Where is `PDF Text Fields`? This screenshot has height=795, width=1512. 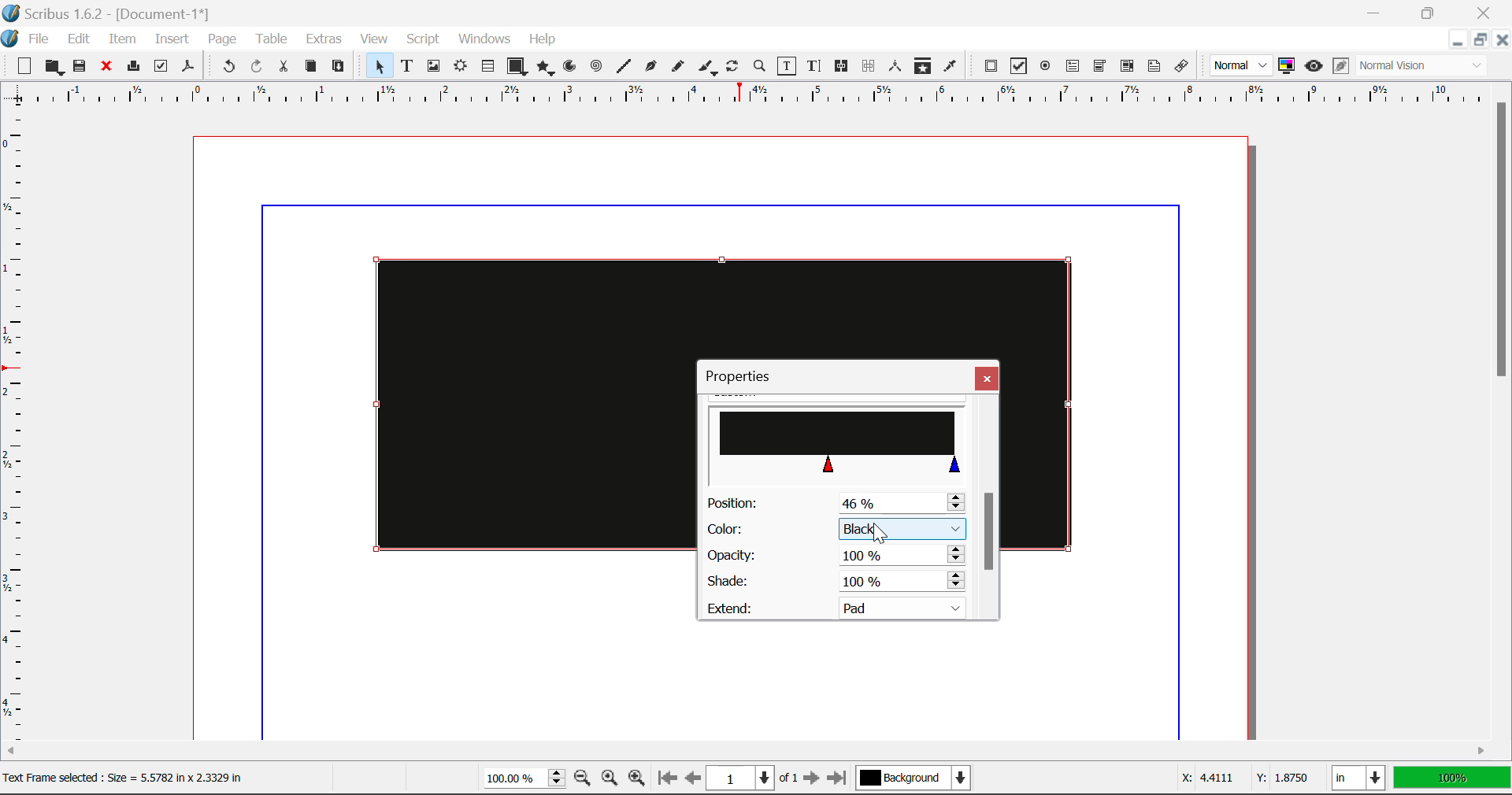 PDF Text Fields is located at coordinates (1073, 66).